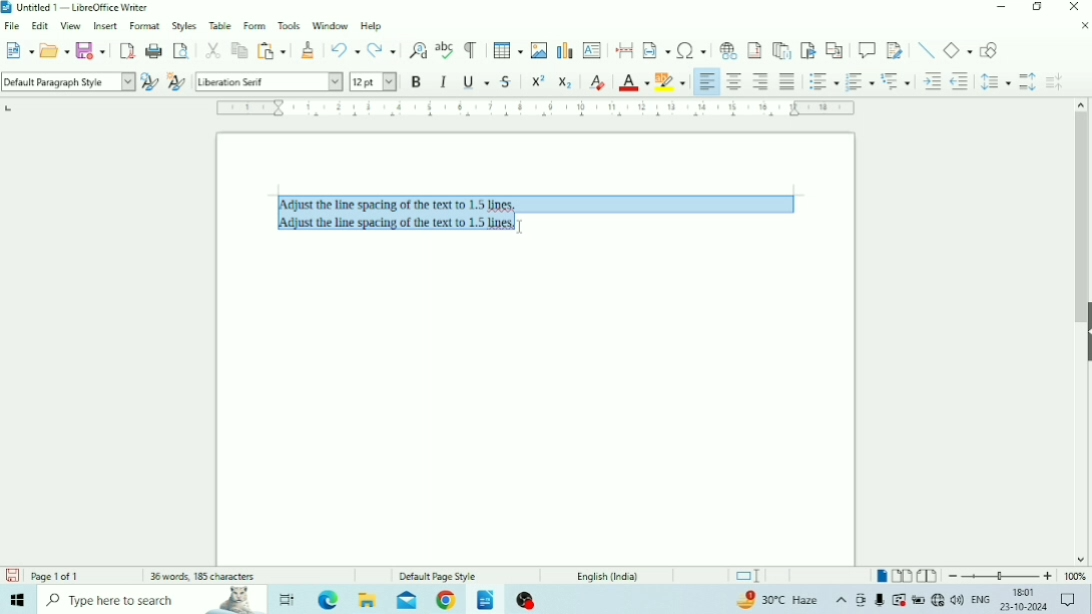 The height and width of the screenshot is (614, 1092). What do you see at coordinates (1000, 575) in the screenshot?
I see `Zoom Out/In` at bounding box center [1000, 575].